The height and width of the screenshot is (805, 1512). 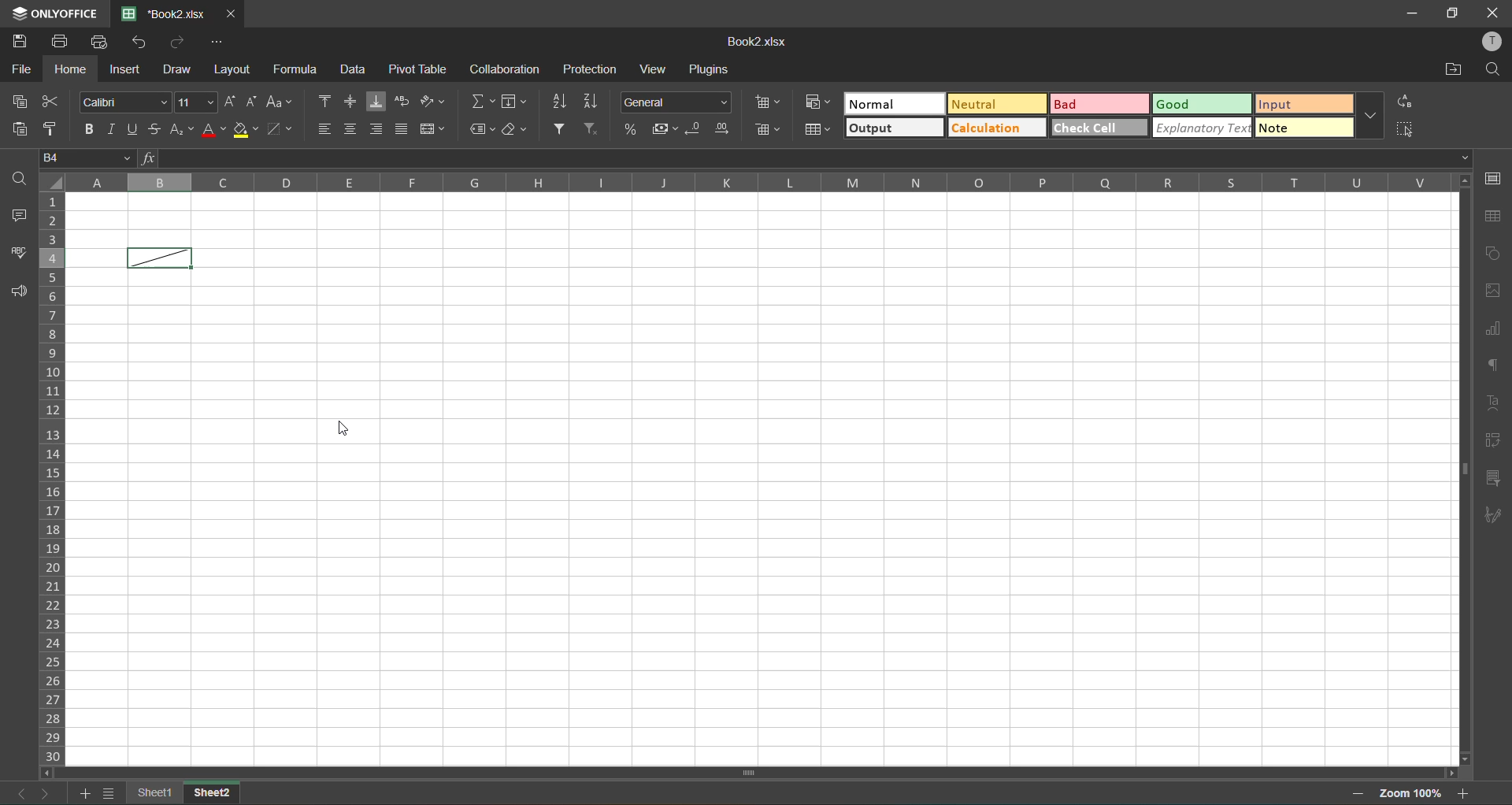 I want to click on book2.xlsx, so click(x=762, y=43).